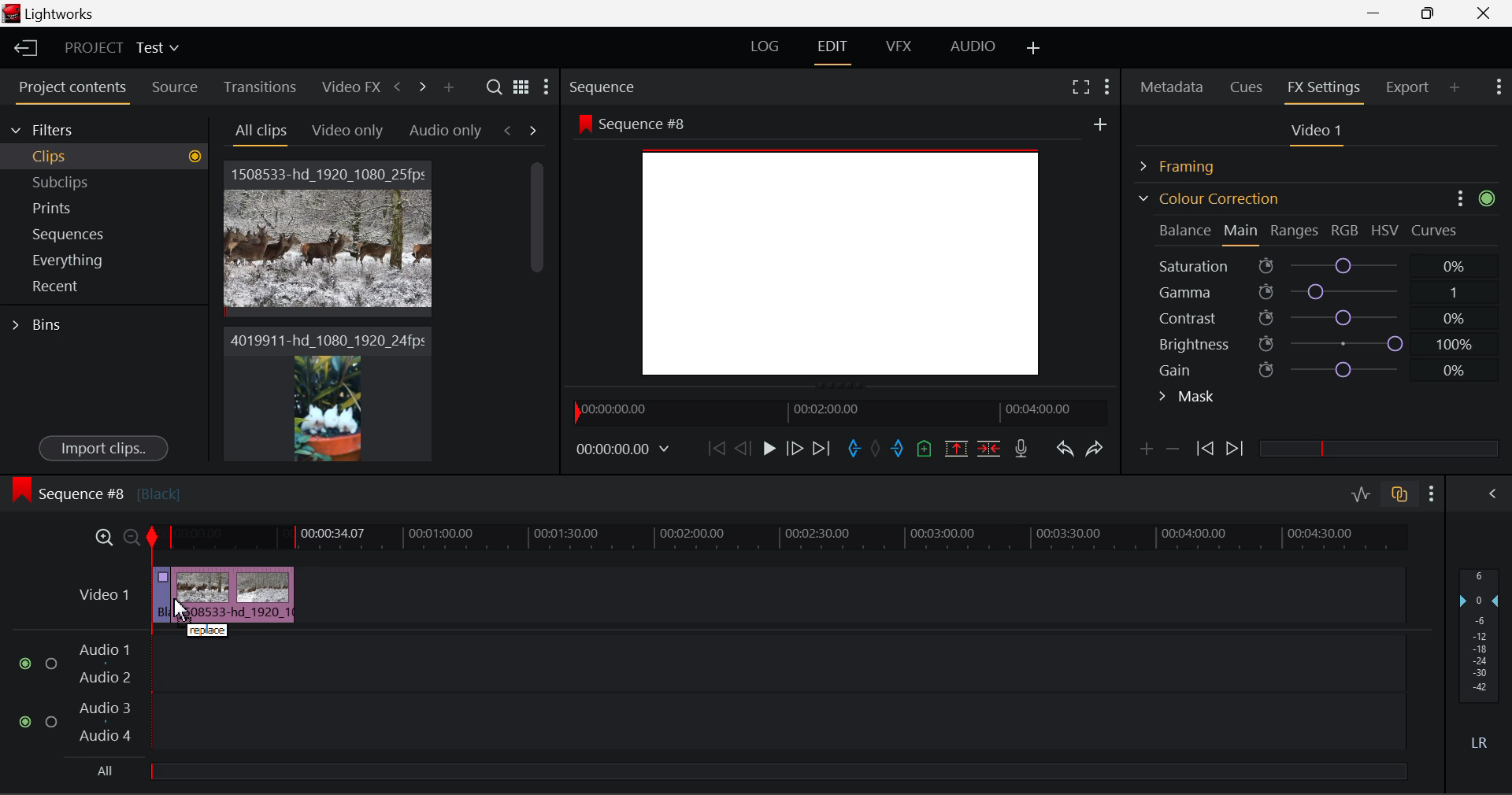 This screenshot has height=795, width=1512. What do you see at coordinates (95, 490) in the screenshot?
I see `Sequence #8` at bounding box center [95, 490].